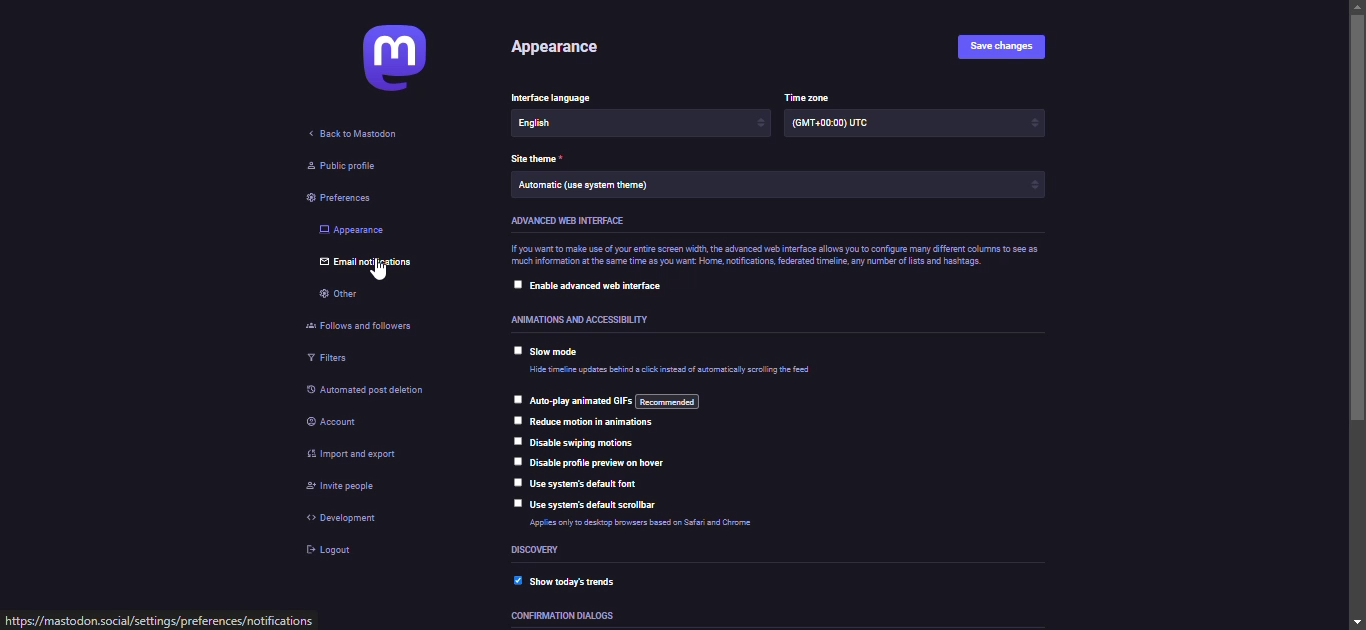 Image resolution: width=1366 pixels, height=630 pixels. Describe the element at coordinates (352, 230) in the screenshot. I see `appearance` at that location.